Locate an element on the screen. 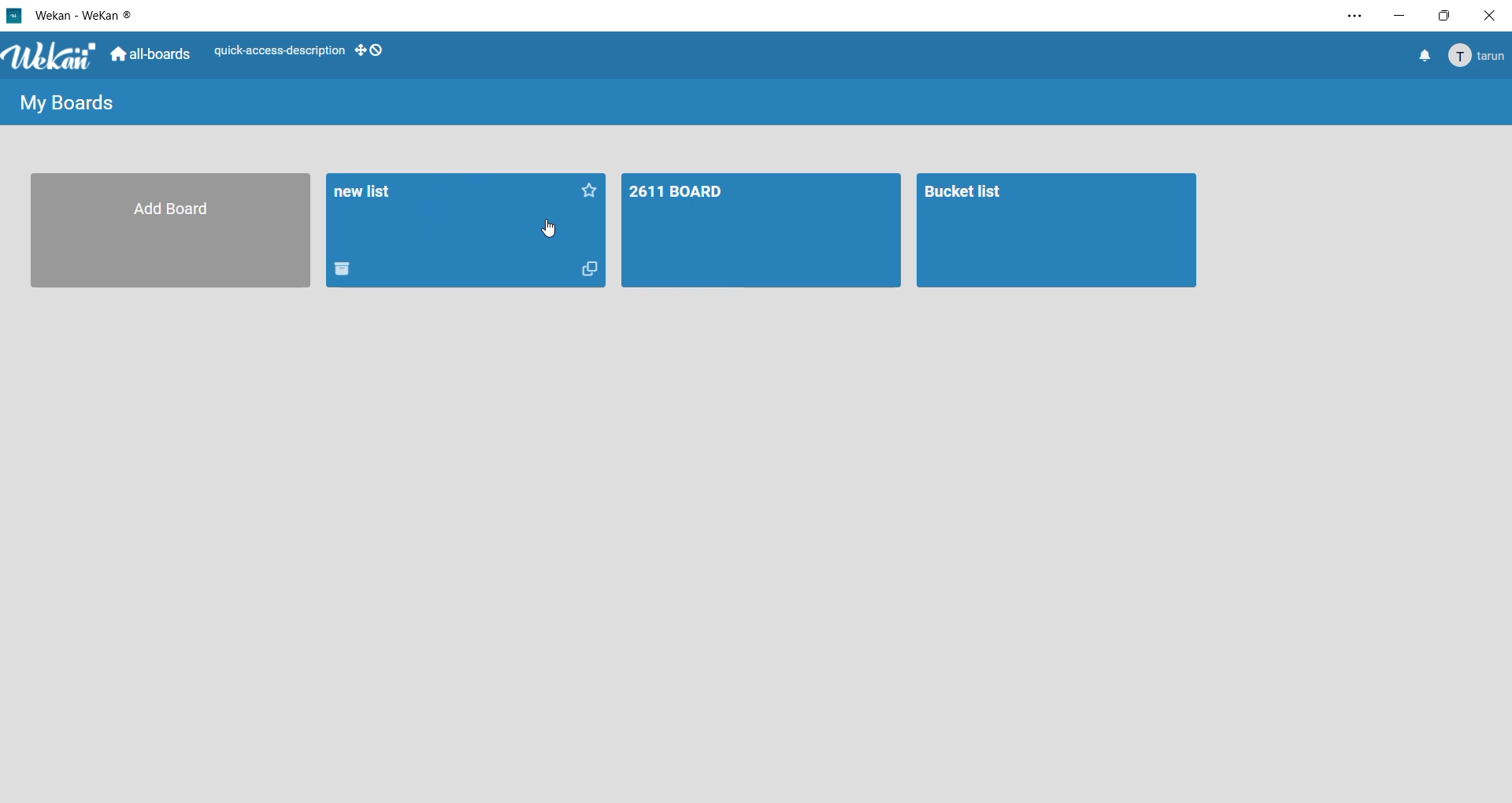 The width and height of the screenshot is (1512, 803). delete is located at coordinates (343, 272).